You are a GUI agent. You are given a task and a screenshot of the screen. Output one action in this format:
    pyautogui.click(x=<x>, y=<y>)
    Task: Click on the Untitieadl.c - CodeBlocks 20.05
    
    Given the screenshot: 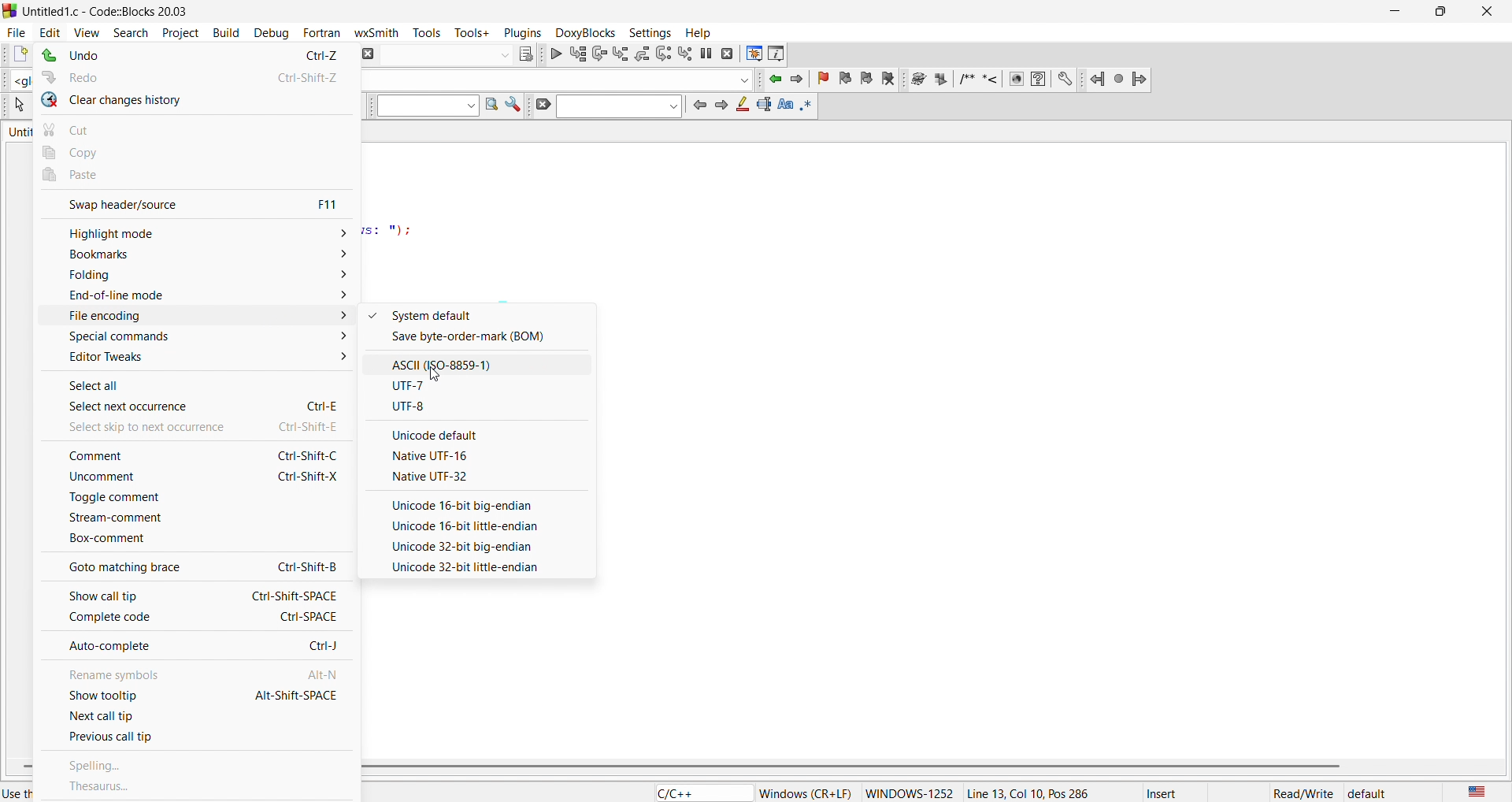 What is the action you would take?
    pyautogui.click(x=113, y=12)
    